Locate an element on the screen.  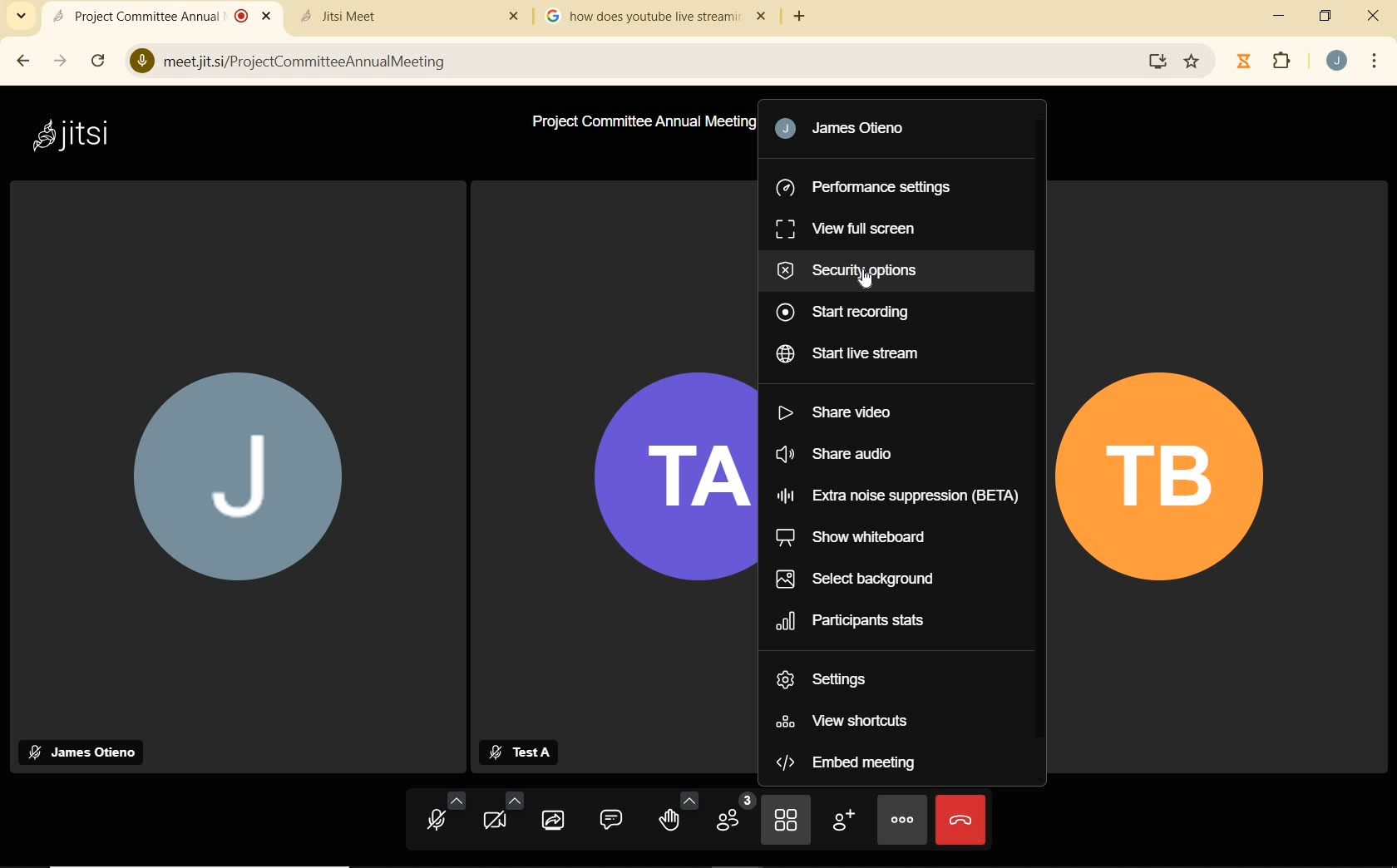
START LIVE STREAM is located at coordinates (852, 355).